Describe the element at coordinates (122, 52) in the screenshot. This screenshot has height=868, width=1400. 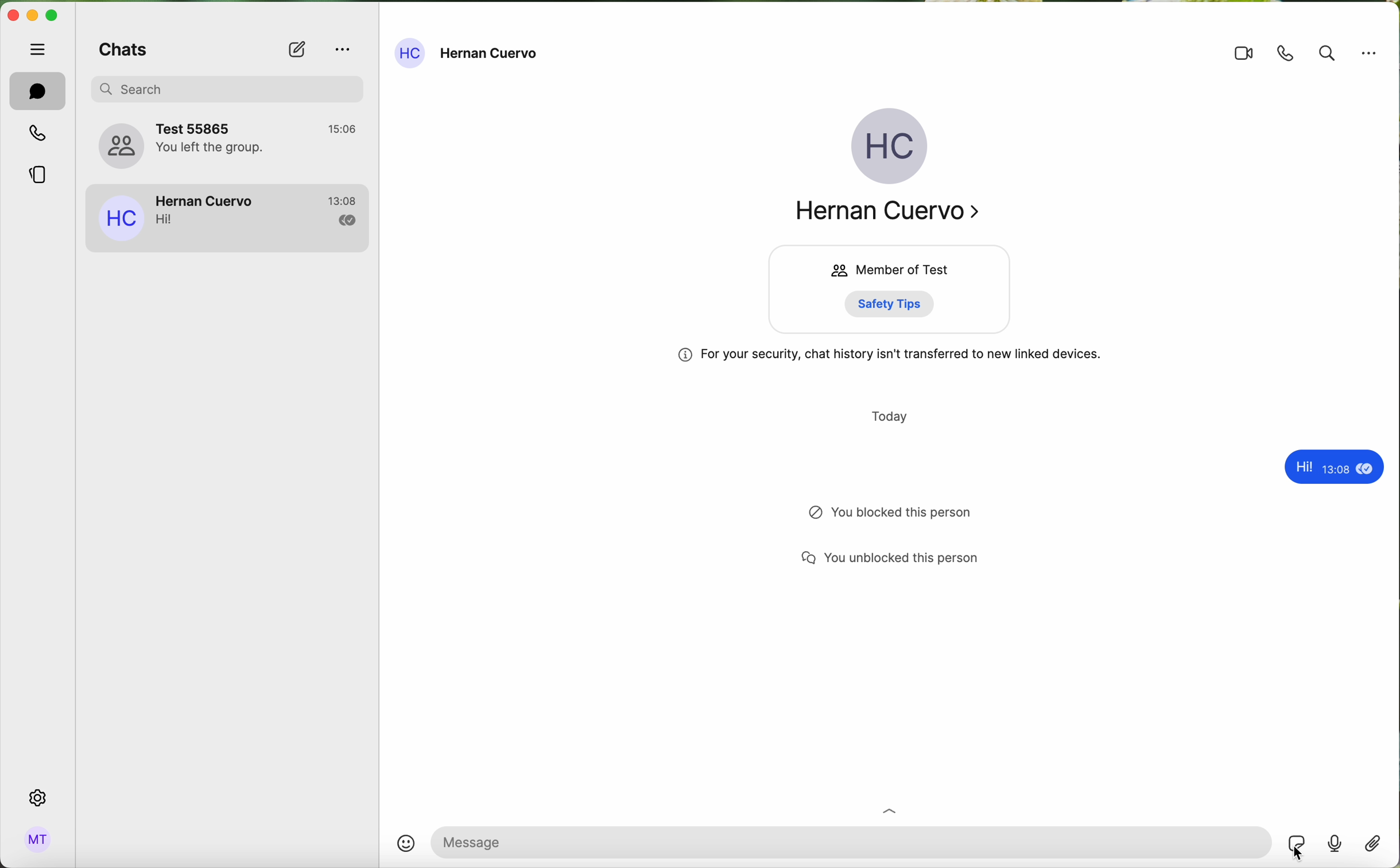
I see `chats` at that location.